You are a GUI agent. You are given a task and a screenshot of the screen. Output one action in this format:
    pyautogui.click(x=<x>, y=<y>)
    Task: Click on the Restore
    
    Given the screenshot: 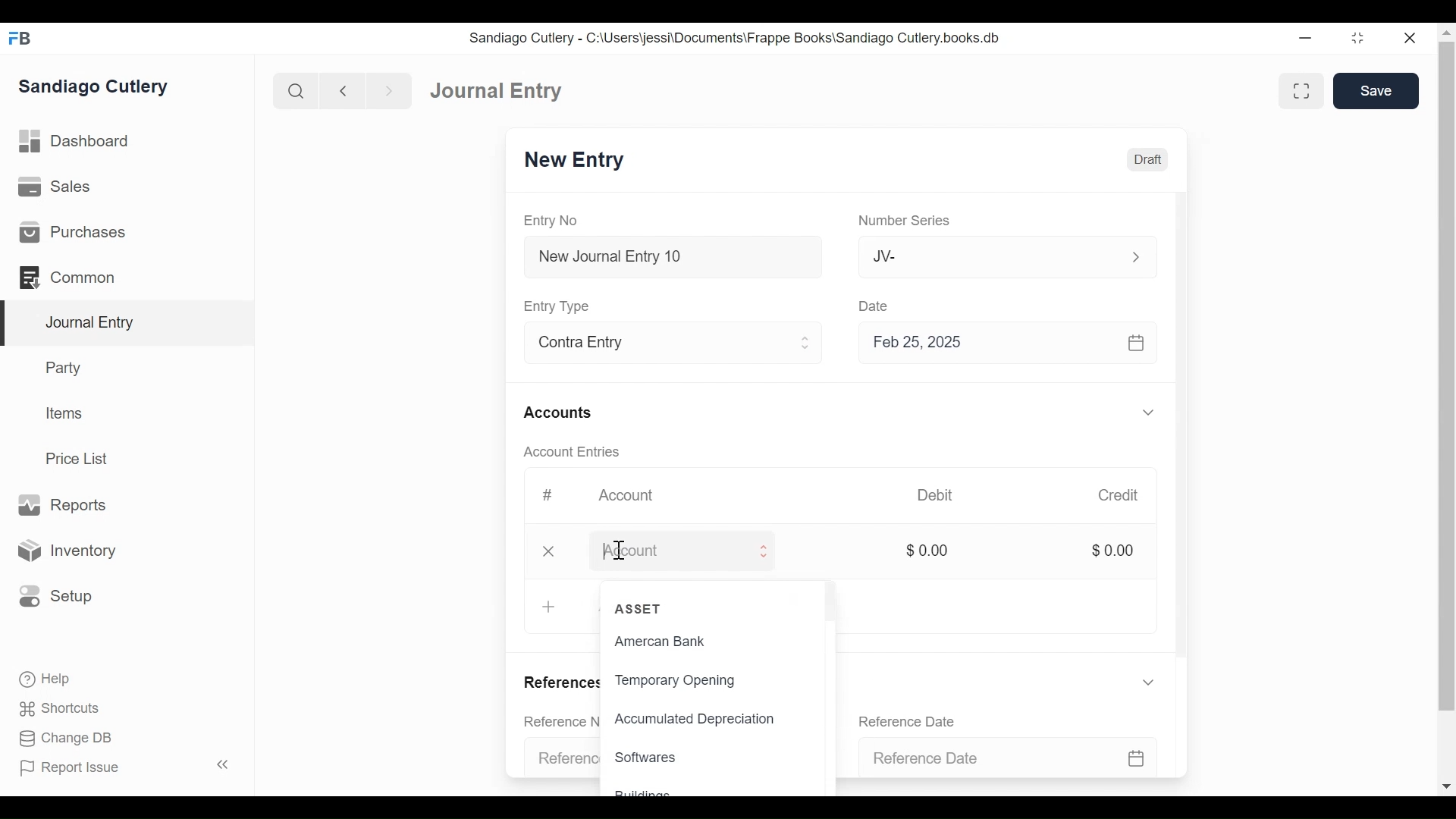 What is the action you would take?
    pyautogui.click(x=1358, y=37)
    